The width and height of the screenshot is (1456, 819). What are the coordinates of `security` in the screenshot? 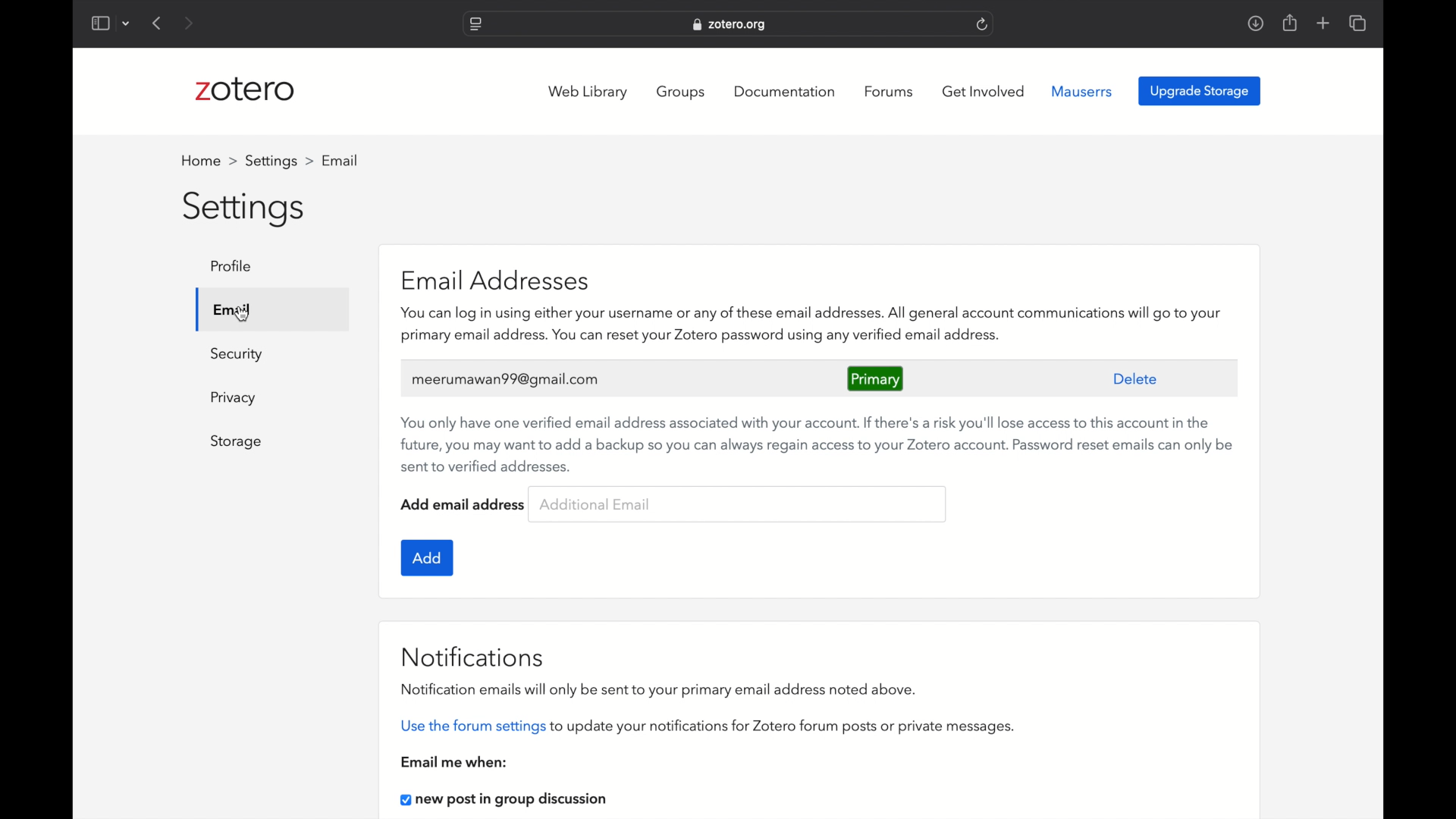 It's located at (238, 355).